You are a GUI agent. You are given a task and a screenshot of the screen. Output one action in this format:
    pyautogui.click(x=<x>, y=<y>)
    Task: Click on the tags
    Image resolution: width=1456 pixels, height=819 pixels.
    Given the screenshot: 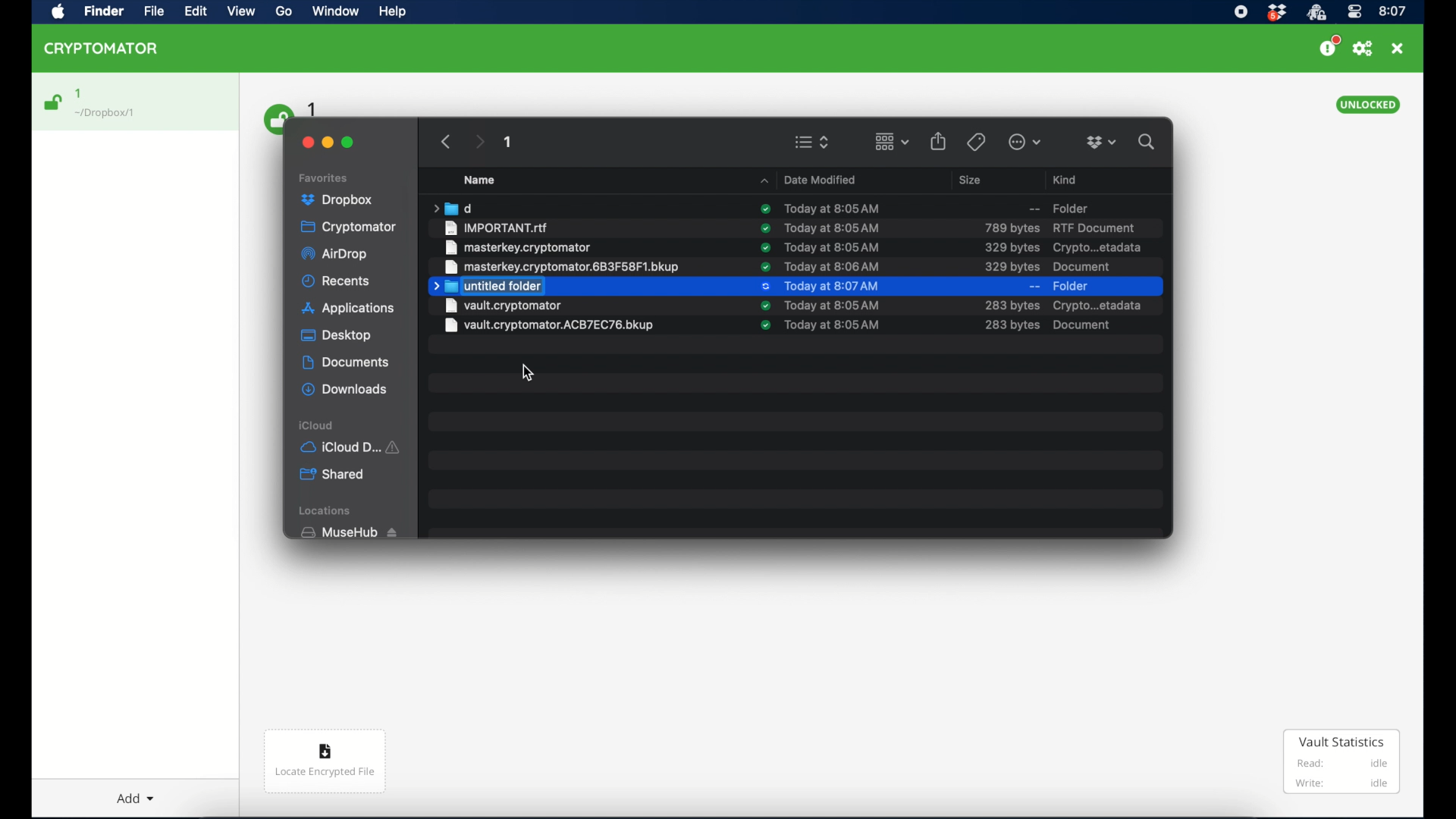 What is the action you would take?
    pyautogui.click(x=975, y=141)
    